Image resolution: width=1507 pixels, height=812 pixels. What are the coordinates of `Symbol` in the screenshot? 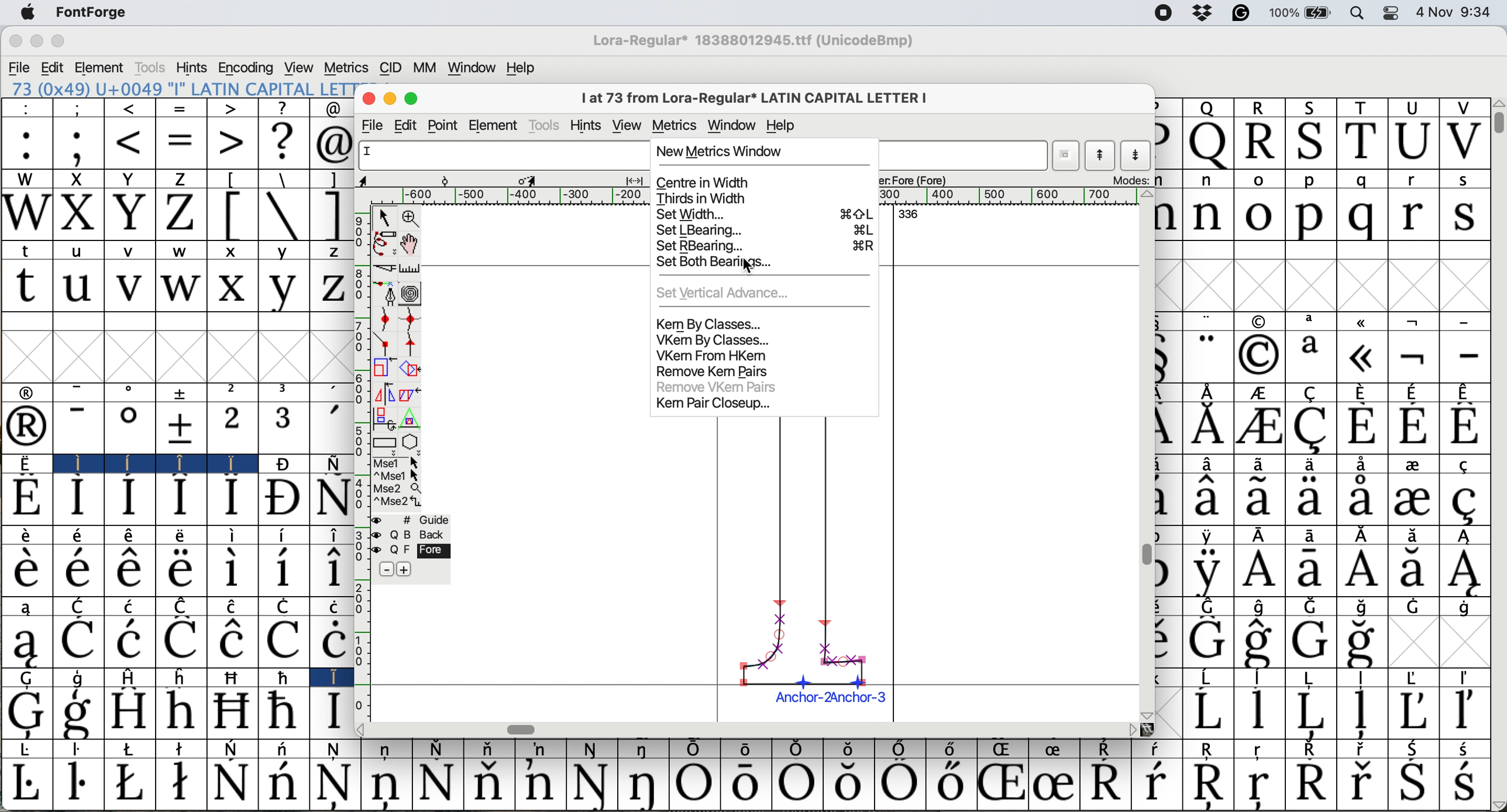 It's located at (694, 750).